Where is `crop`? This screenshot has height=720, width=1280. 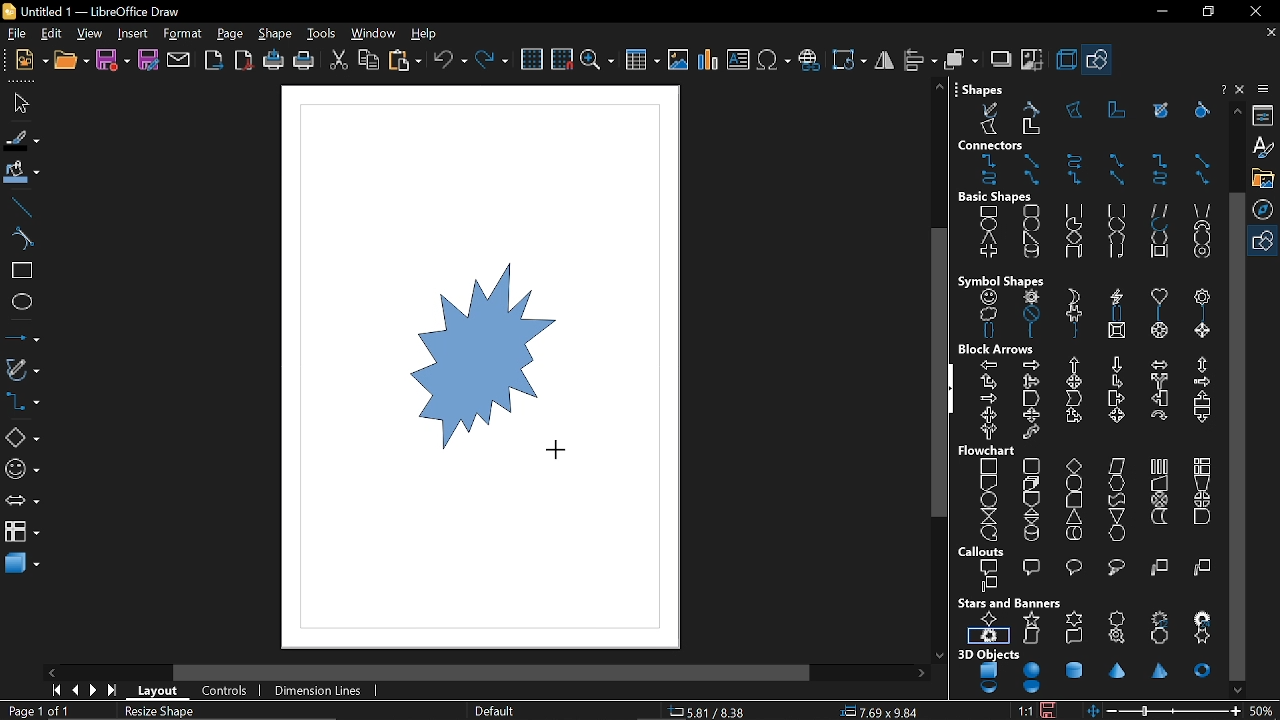
crop is located at coordinates (1034, 63).